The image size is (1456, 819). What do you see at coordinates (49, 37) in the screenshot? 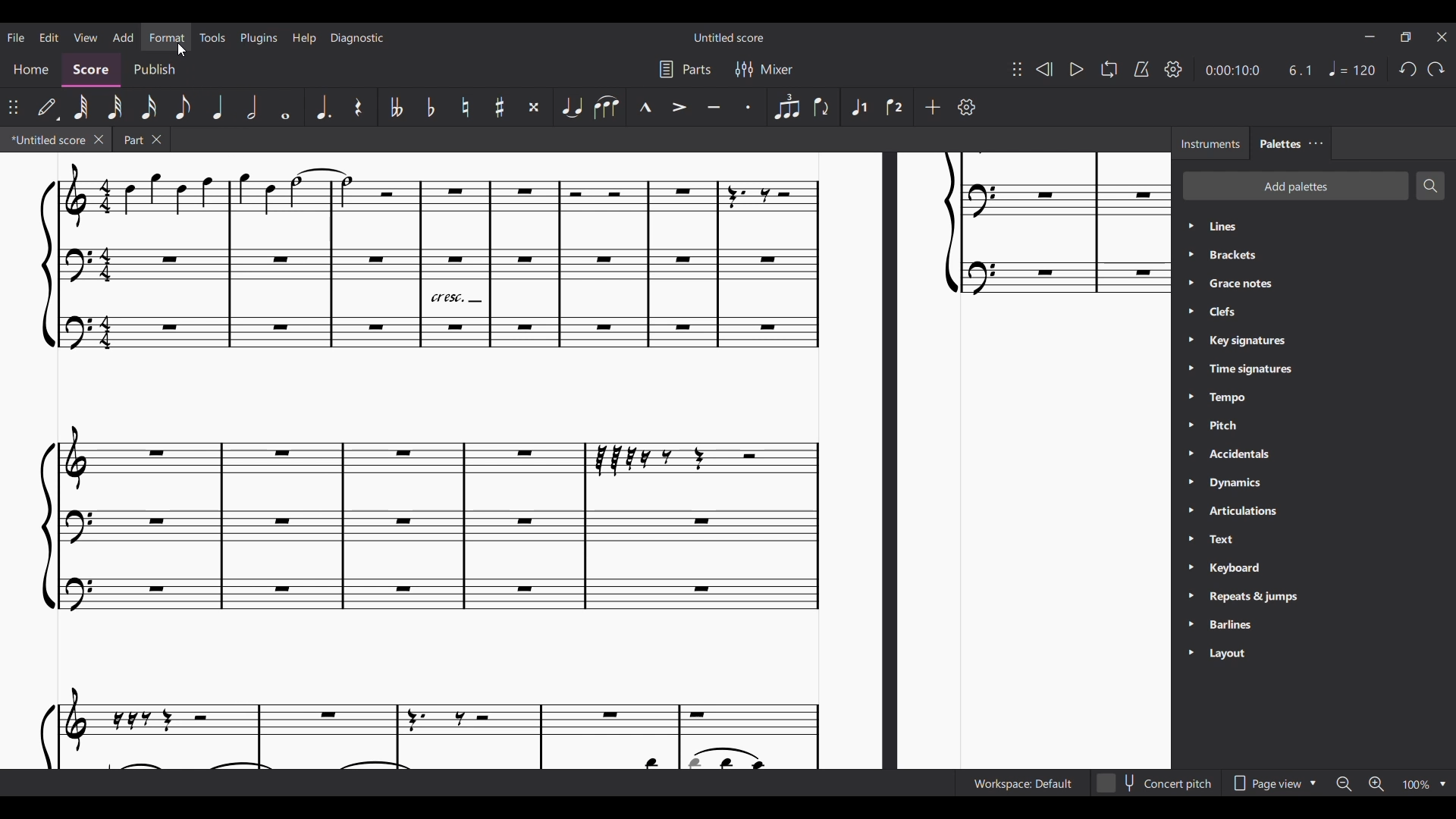
I see `Edit menu` at bounding box center [49, 37].